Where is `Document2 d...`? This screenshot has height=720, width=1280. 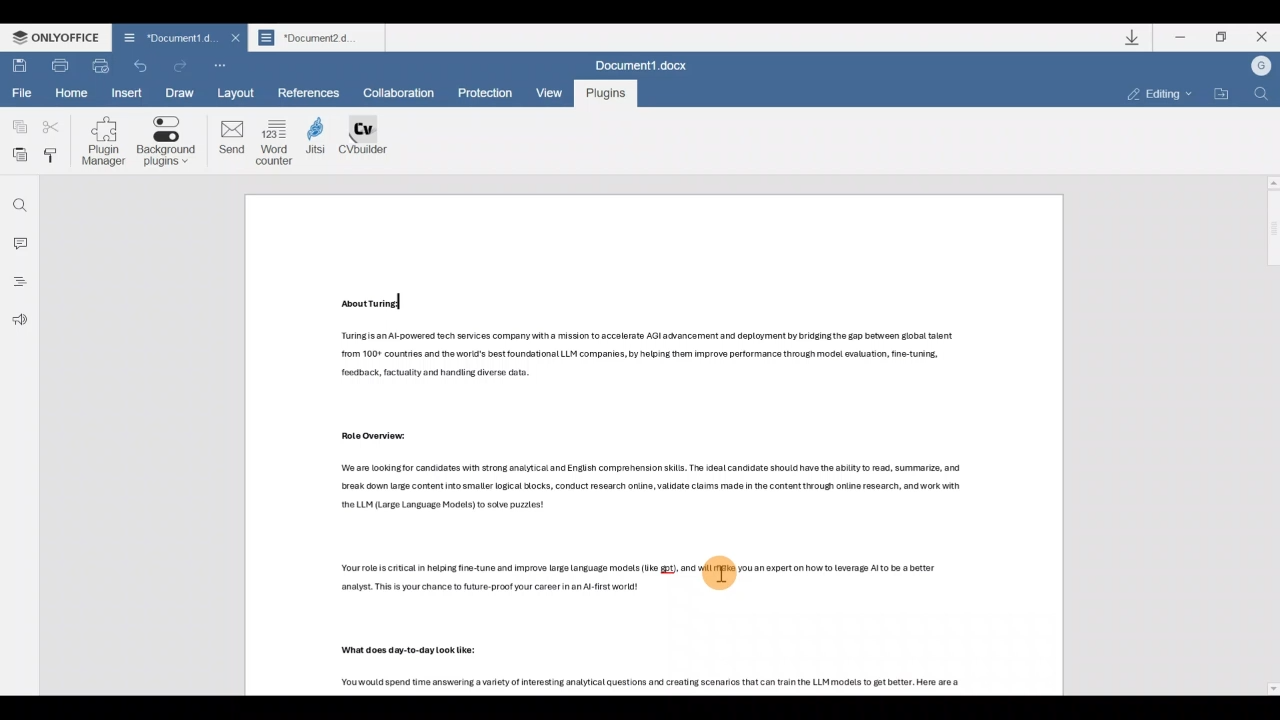
Document2 d... is located at coordinates (318, 40).